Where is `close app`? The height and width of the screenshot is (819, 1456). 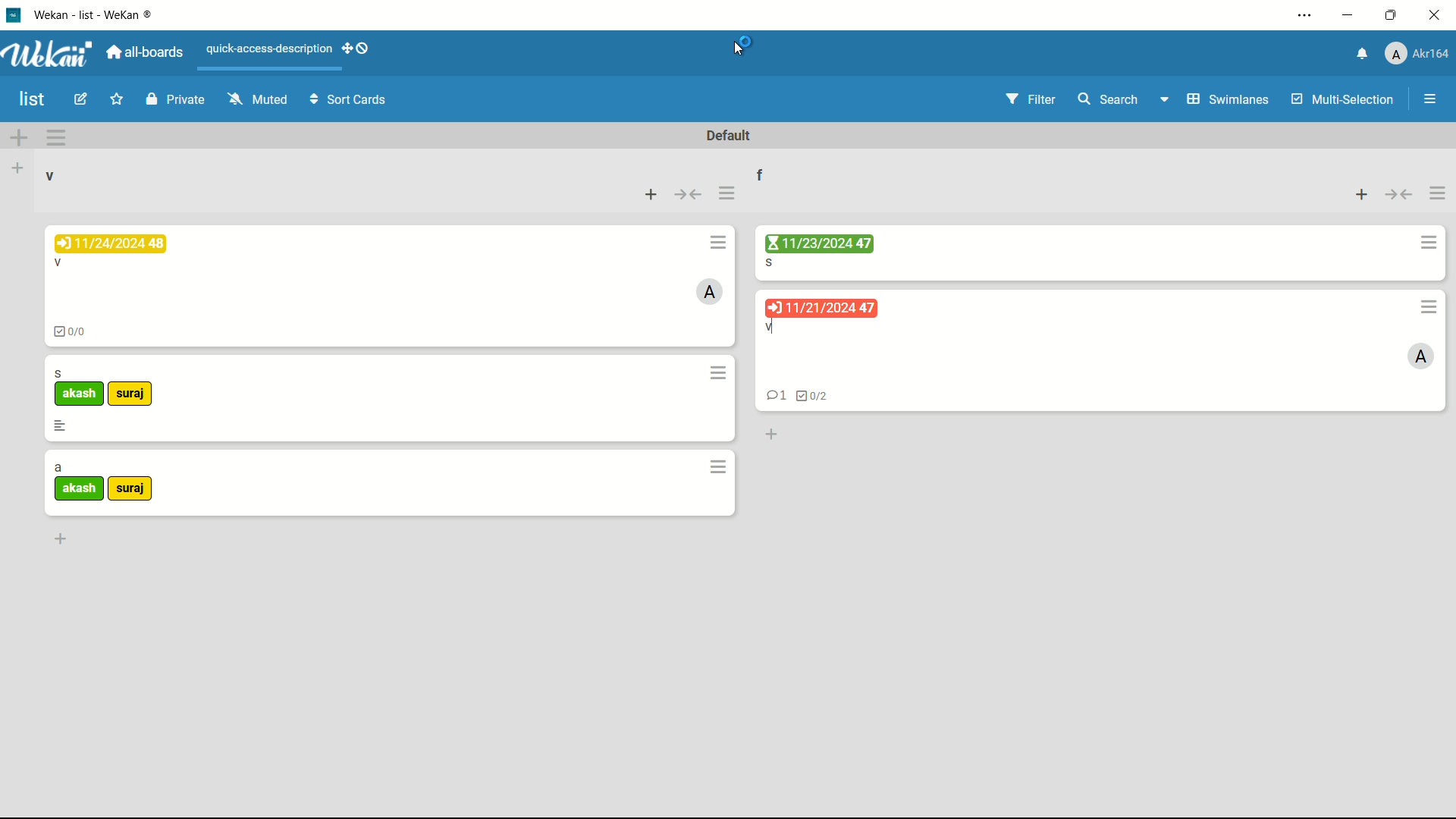 close app is located at coordinates (1435, 17).